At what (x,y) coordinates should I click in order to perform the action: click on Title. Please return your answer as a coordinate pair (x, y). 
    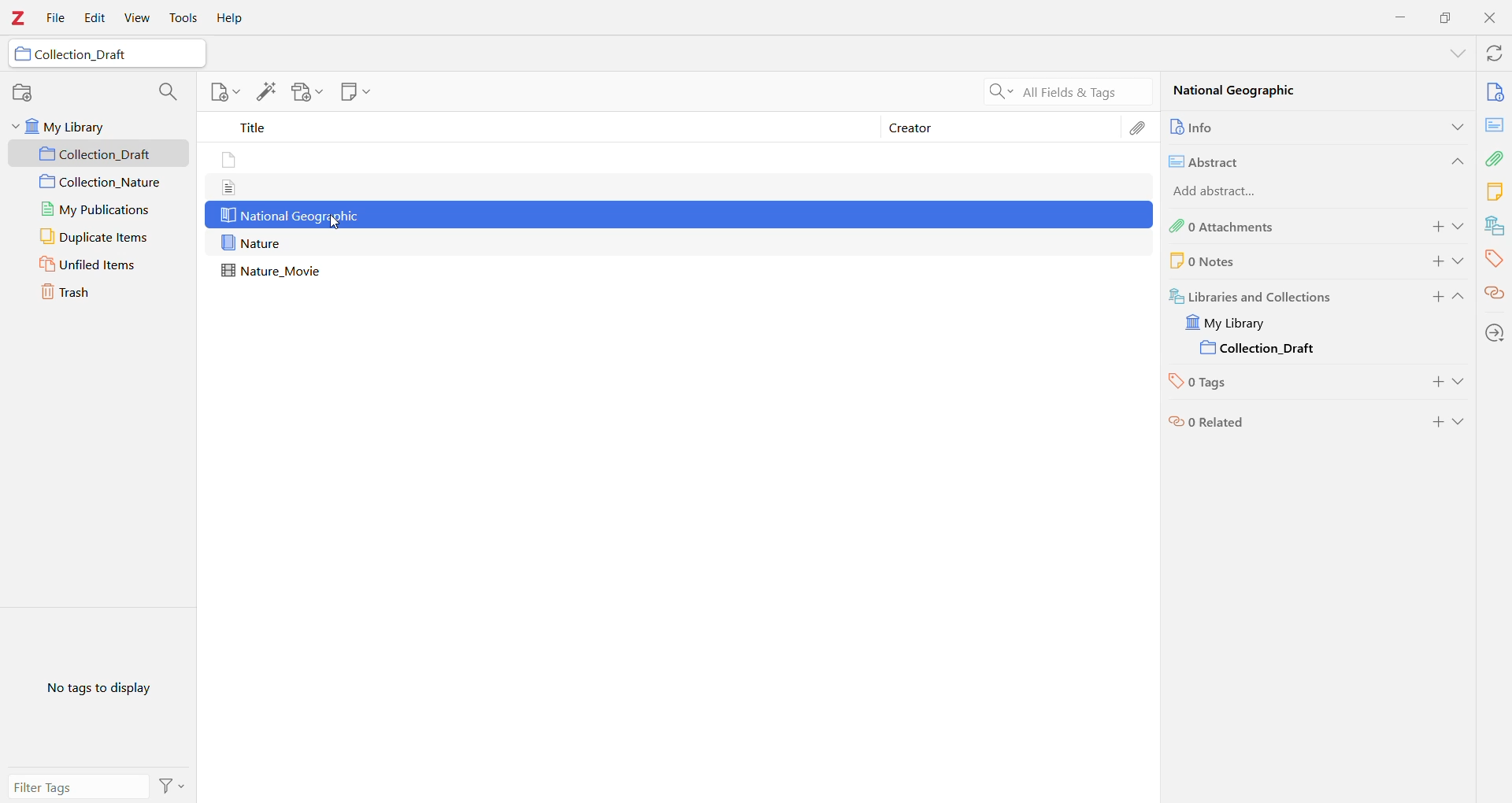
    Looking at the image, I should click on (543, 130).